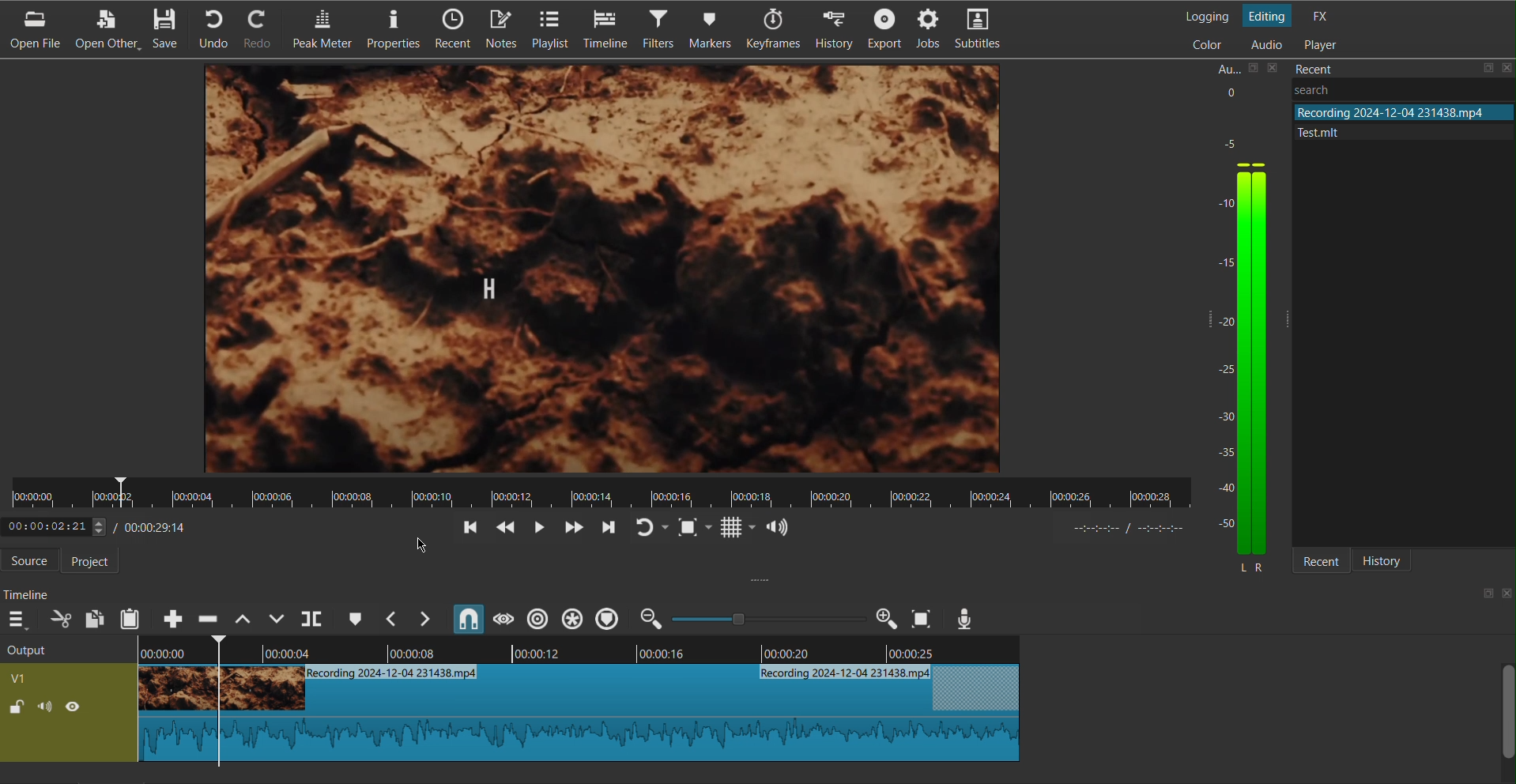 This screenshot has width=1516, height=784. Describe the element at coordinates (95, 617) in the screenshot. I see `Copy` at that location.